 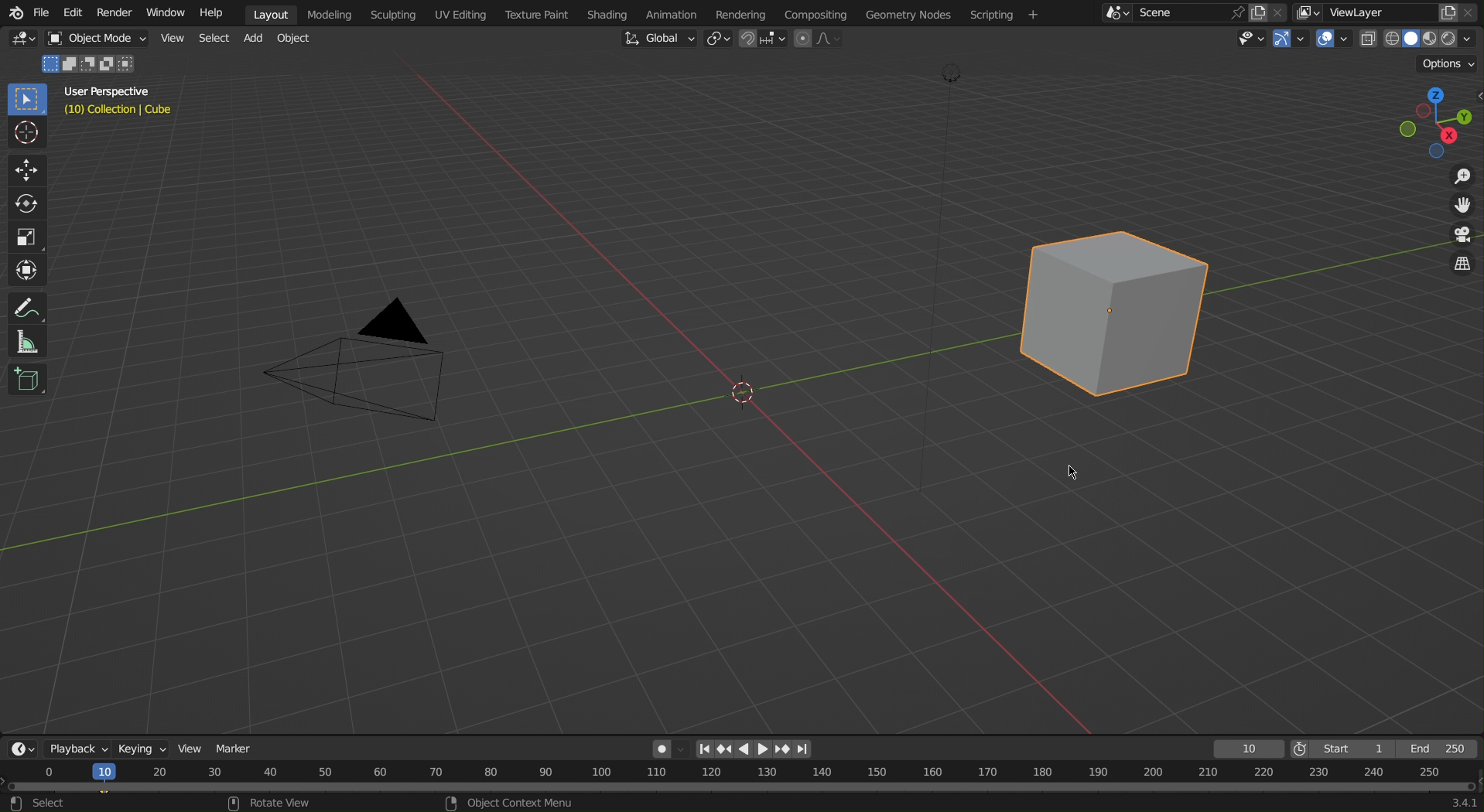 What do you see at coordinates (685, 12) in the screenshot?
I see `Animation` at bounding box center [685, 12].